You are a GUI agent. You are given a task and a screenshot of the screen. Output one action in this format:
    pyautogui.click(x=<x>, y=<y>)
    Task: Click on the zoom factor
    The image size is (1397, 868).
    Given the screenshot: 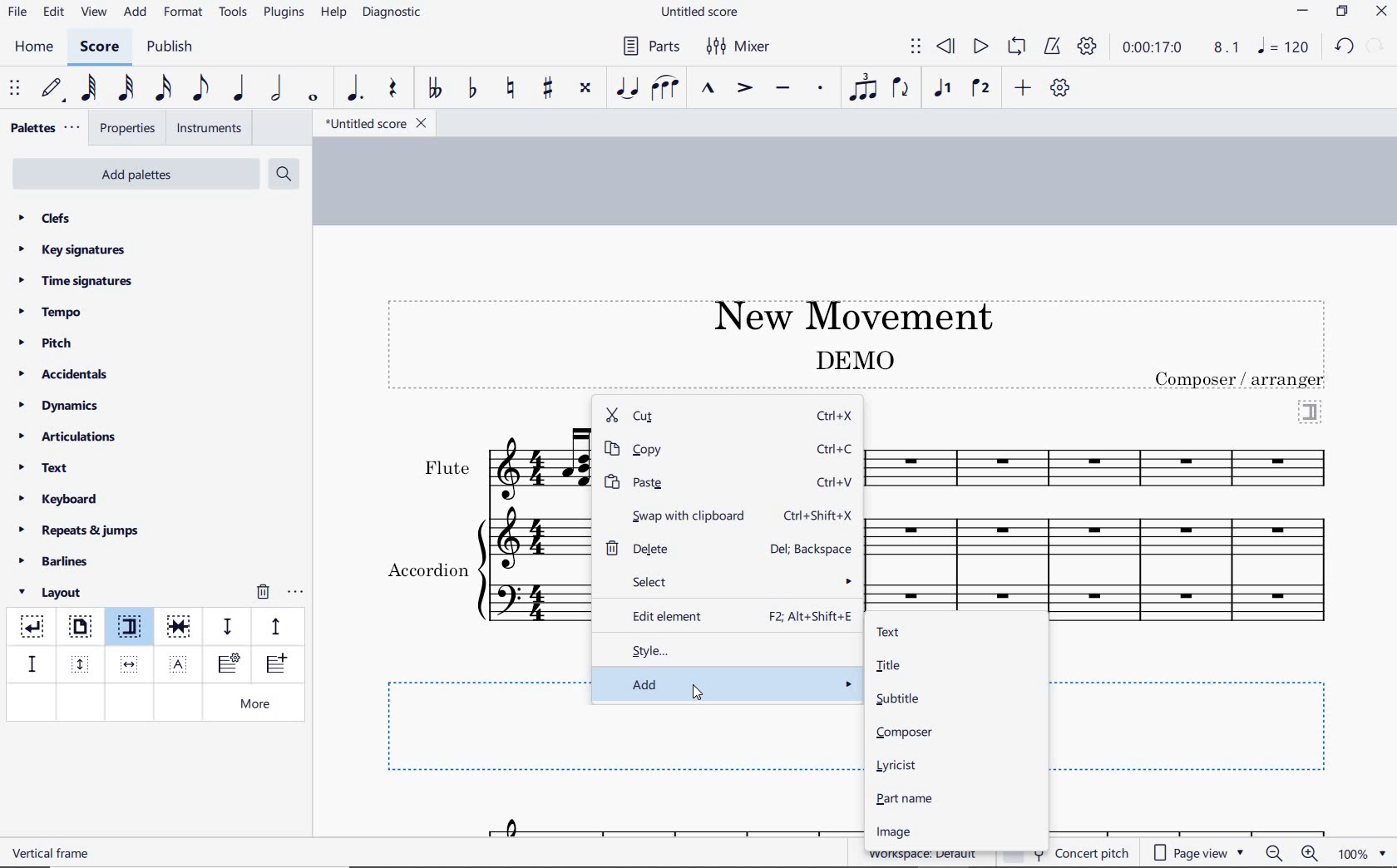 What is the action you would take?
    pyautogui.click(x=1362, y=853)
    